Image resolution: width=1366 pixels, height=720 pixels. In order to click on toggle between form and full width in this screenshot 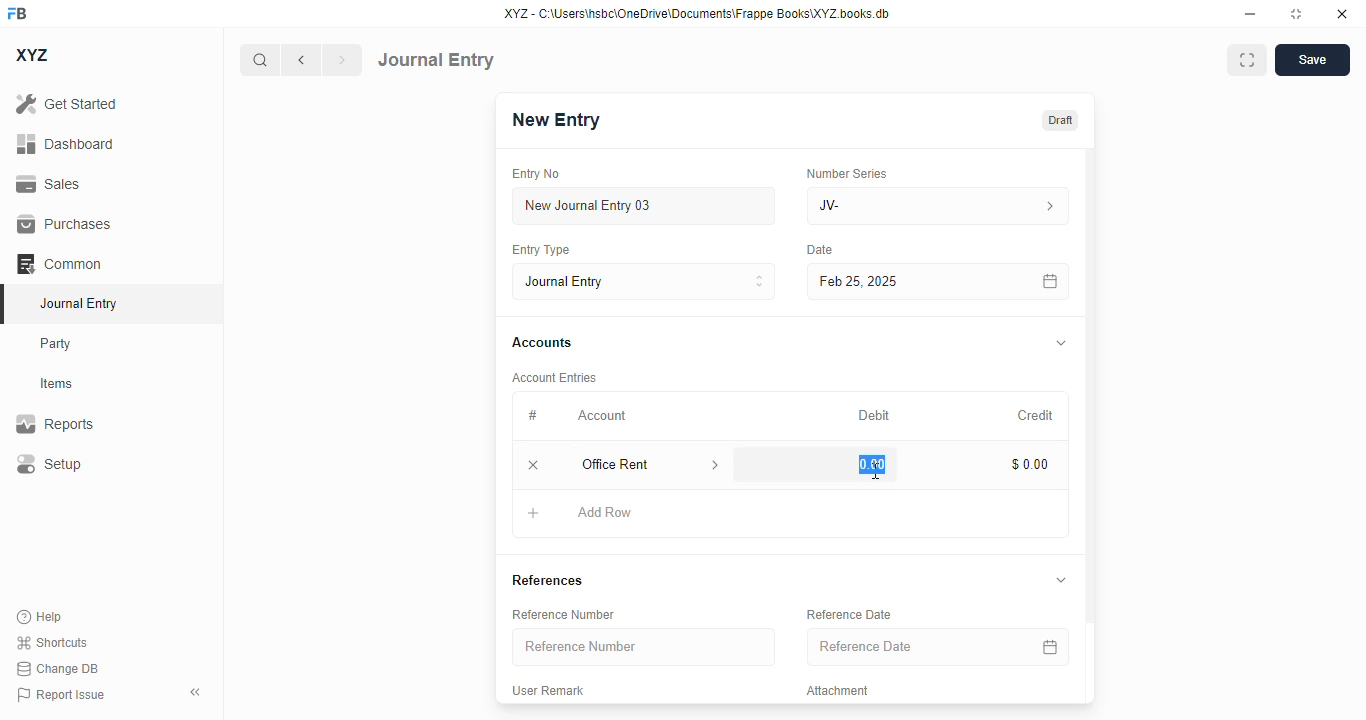, I will do `click(1248, 60)`.